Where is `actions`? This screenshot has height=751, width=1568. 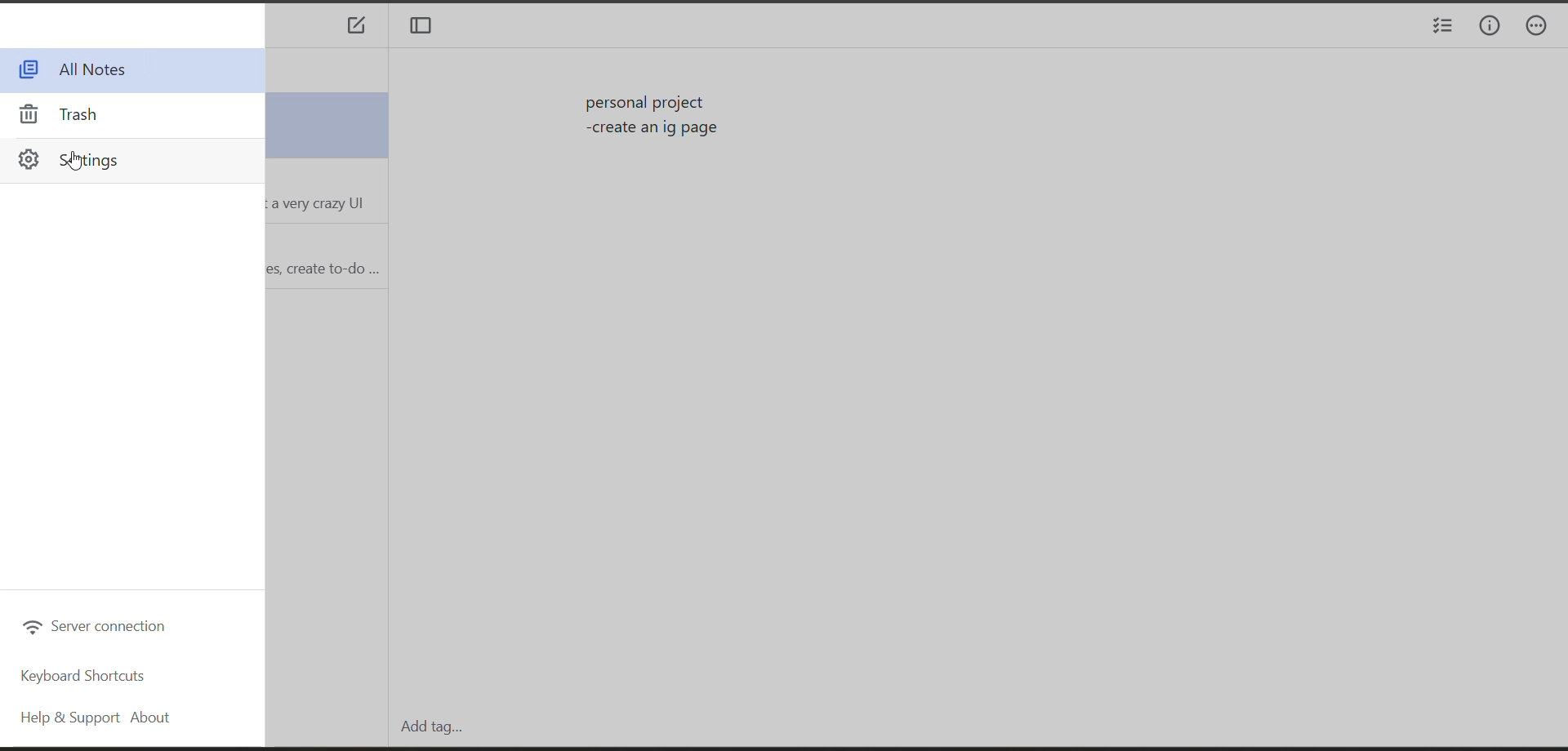 actions is located at coordinates (1543, 28).